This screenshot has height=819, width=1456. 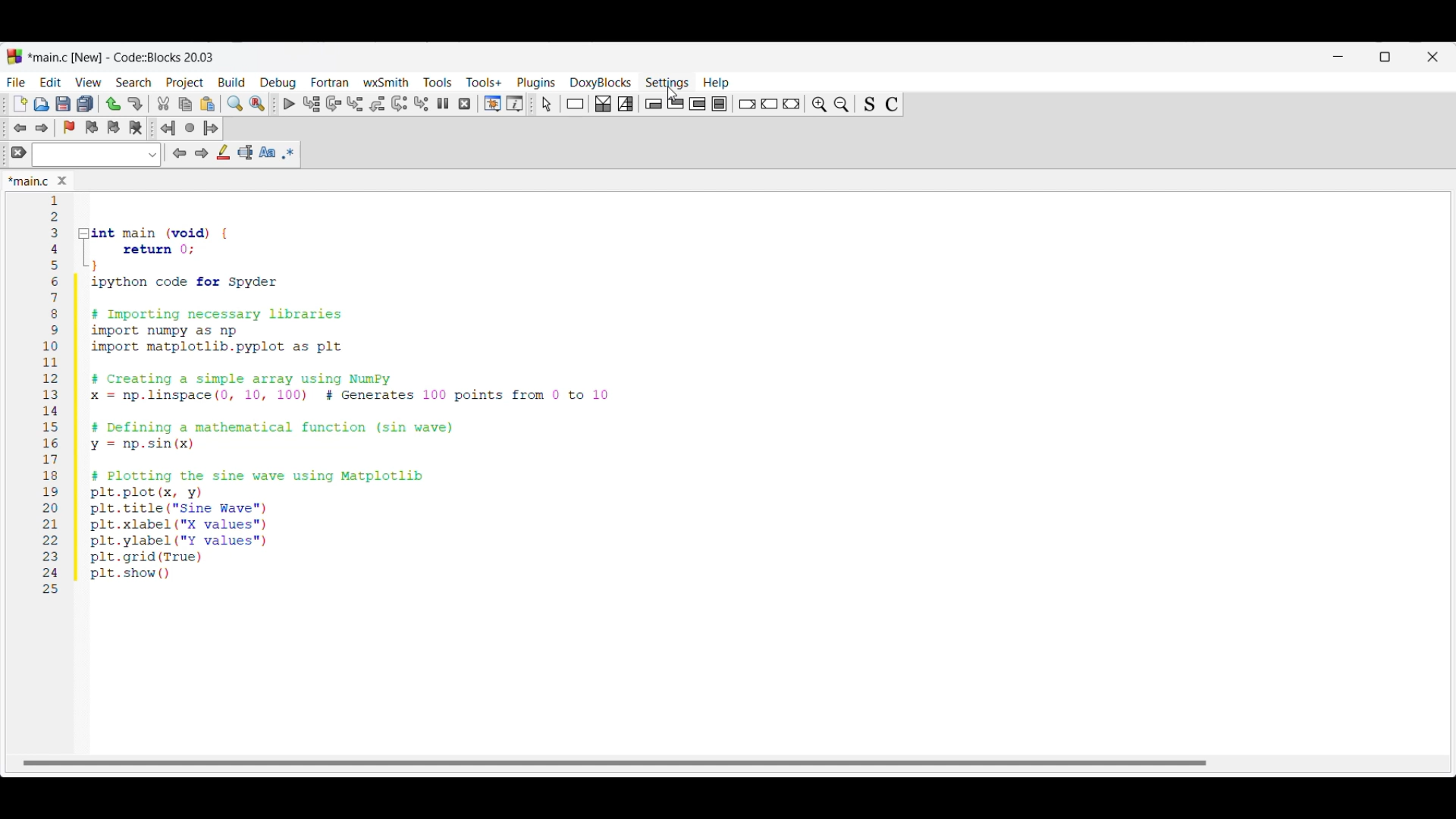 What do you see at coordinates (438, 82) in the screenshot?
I see `Tools menu` at bounding box center [438, 82].